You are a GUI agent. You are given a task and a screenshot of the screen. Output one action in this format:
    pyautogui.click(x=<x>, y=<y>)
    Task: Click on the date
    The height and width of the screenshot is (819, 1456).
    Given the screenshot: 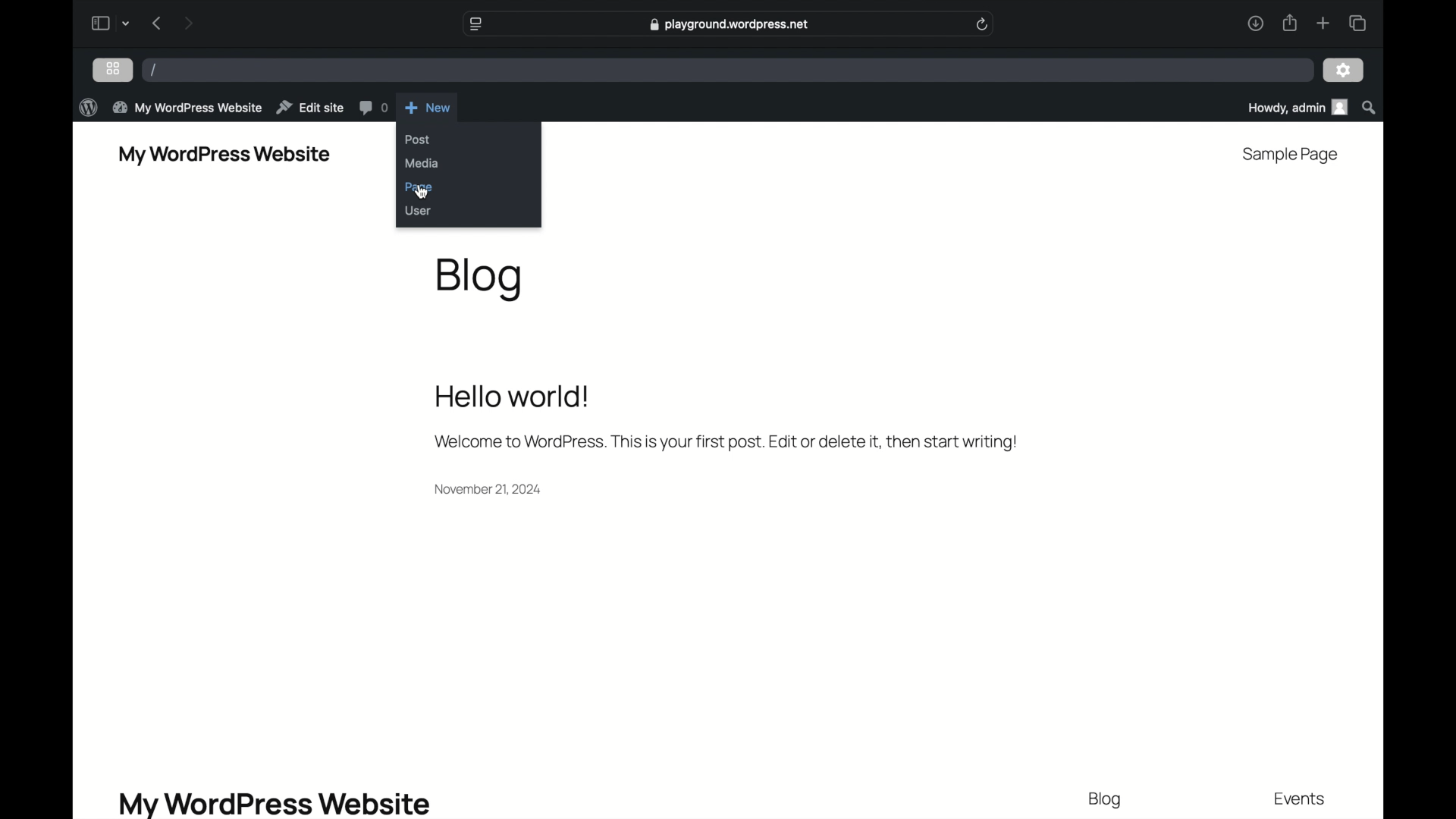 What is the action you would take?
    pyautogui.click(x=489, y=490)
    